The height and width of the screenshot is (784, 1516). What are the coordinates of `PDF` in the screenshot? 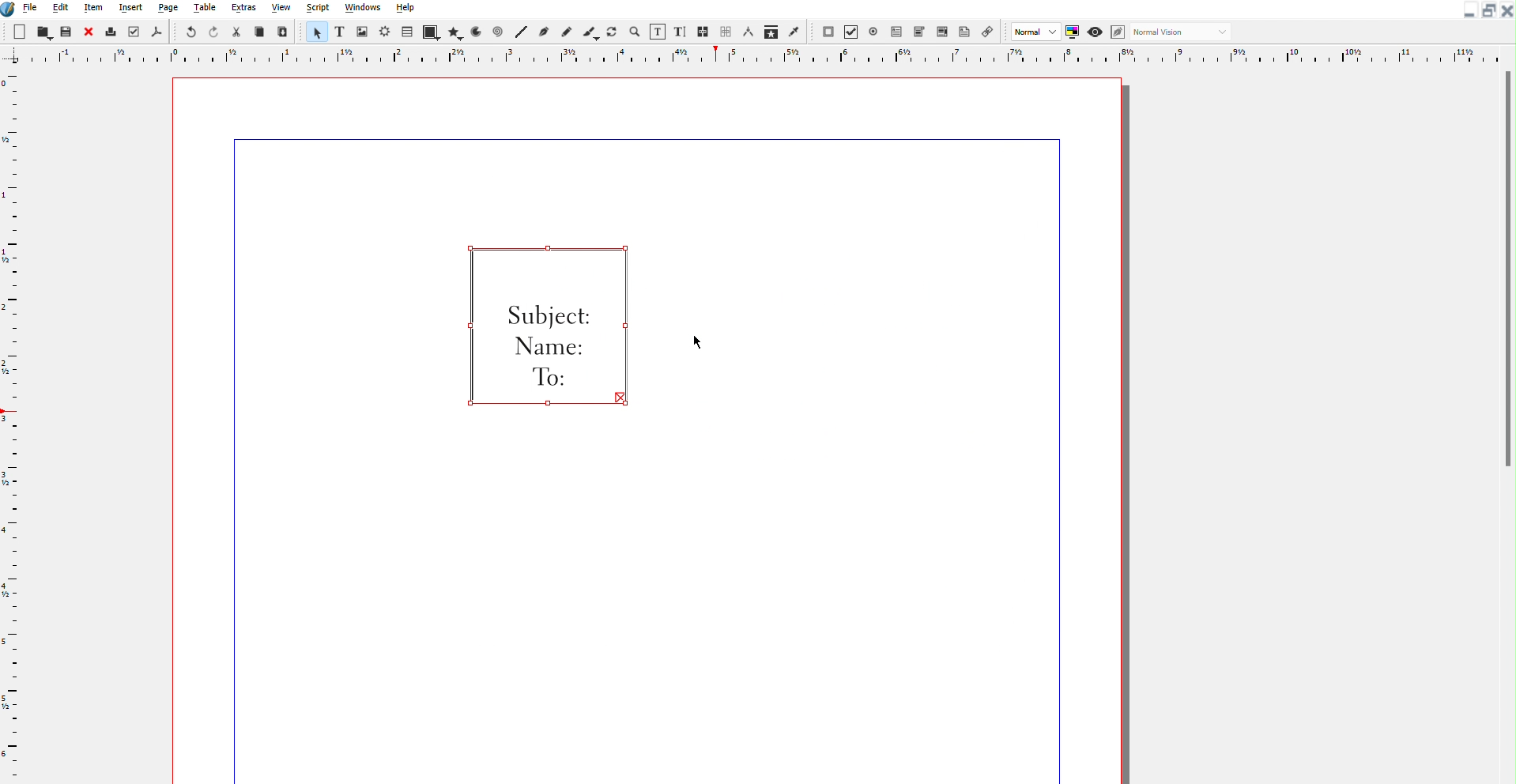 It's located at (154, 32).